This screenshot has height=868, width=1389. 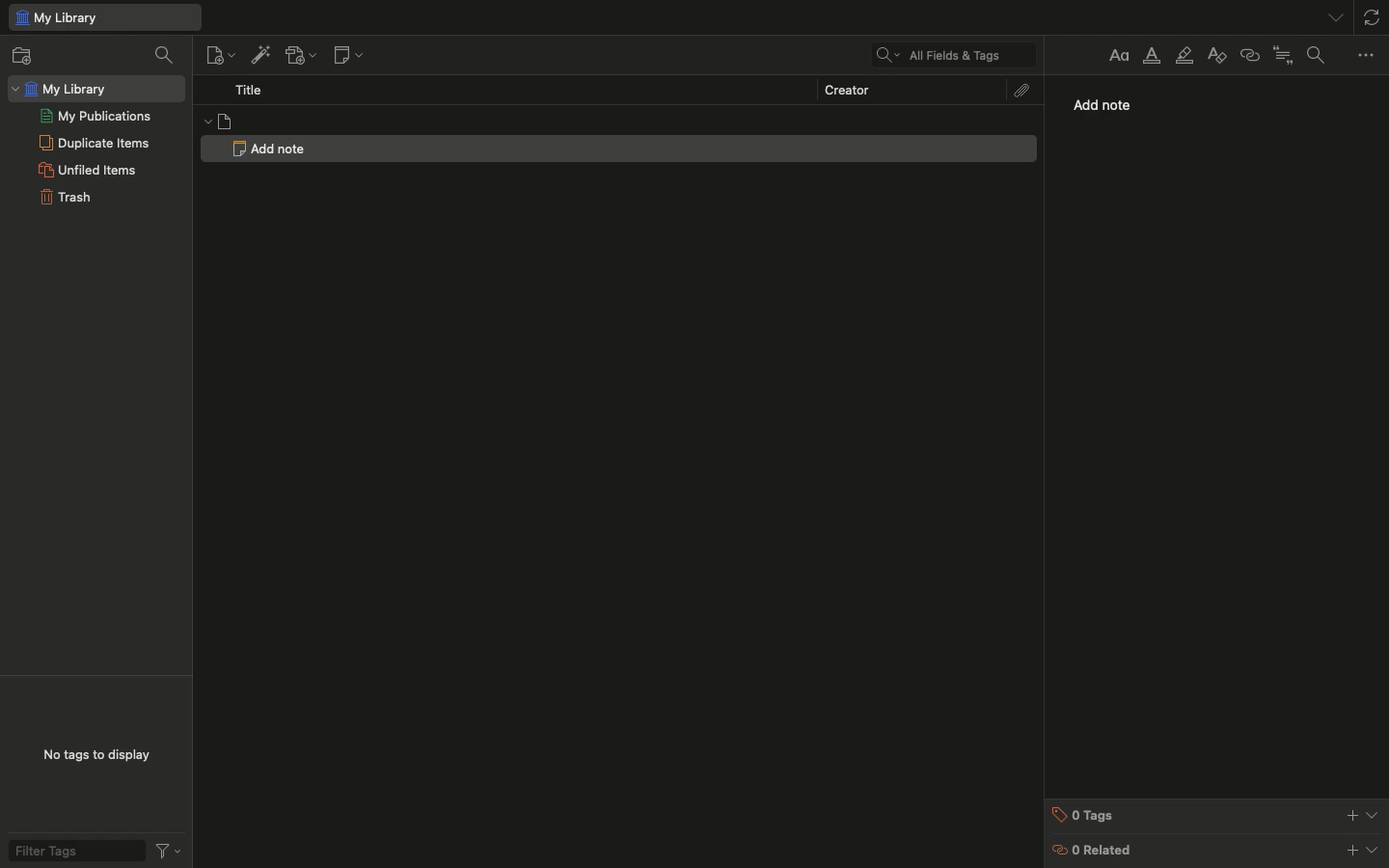 What do you see at coordinates (846, 88) in the screenshot?
I see `Create` at bounding box center [846, 88].